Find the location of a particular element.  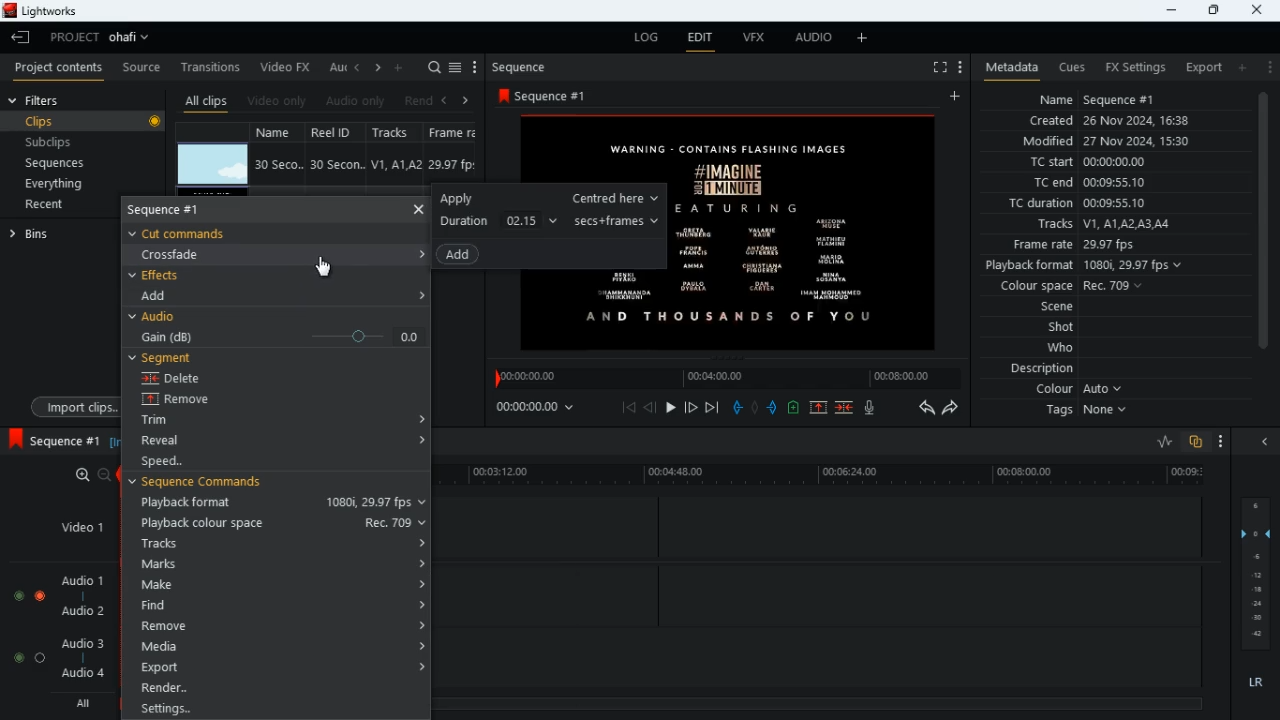

V1, A1, A2 is located at coordinates (394, 164).